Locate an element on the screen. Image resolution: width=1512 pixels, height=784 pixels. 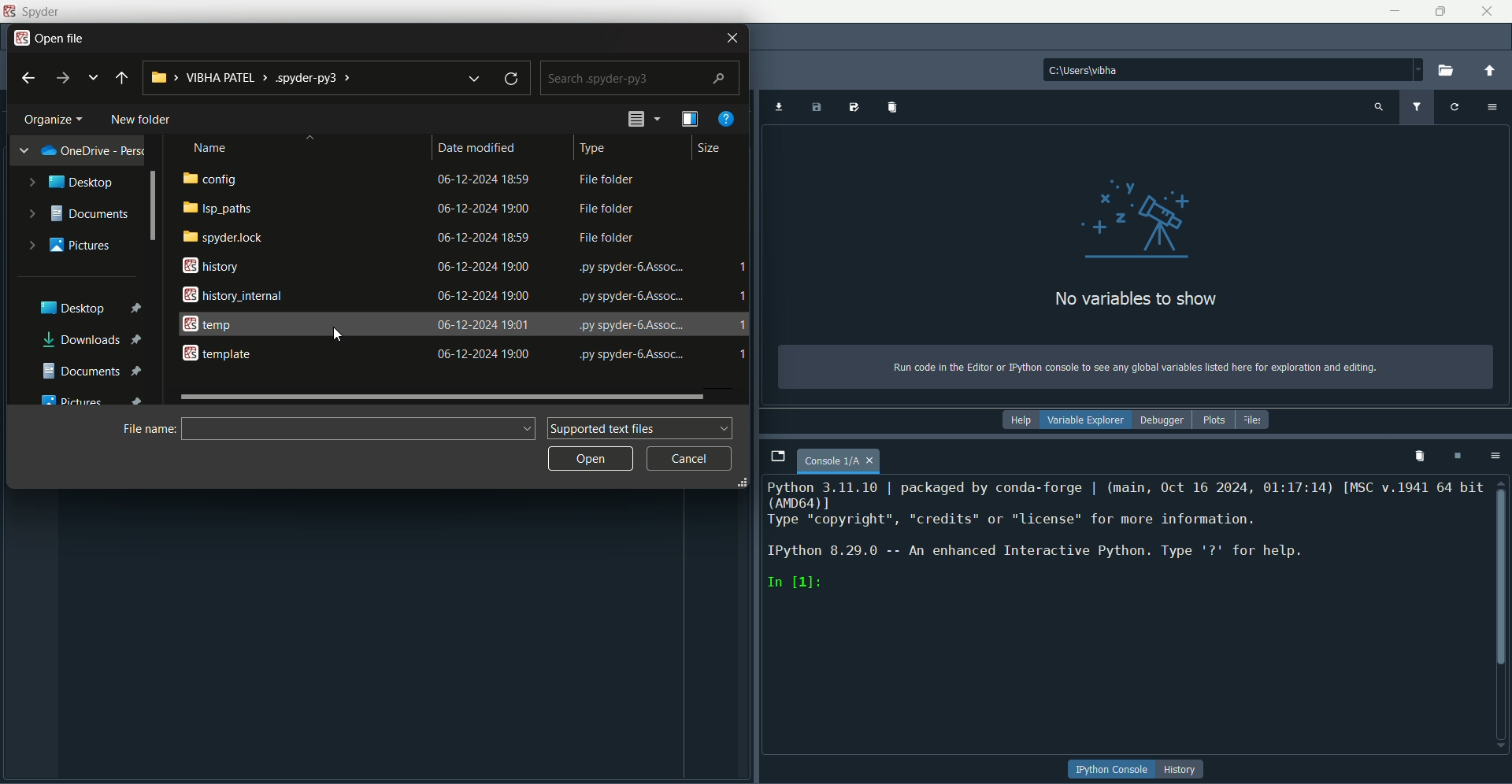
scroll bar is located at coordinates (1503, 573).